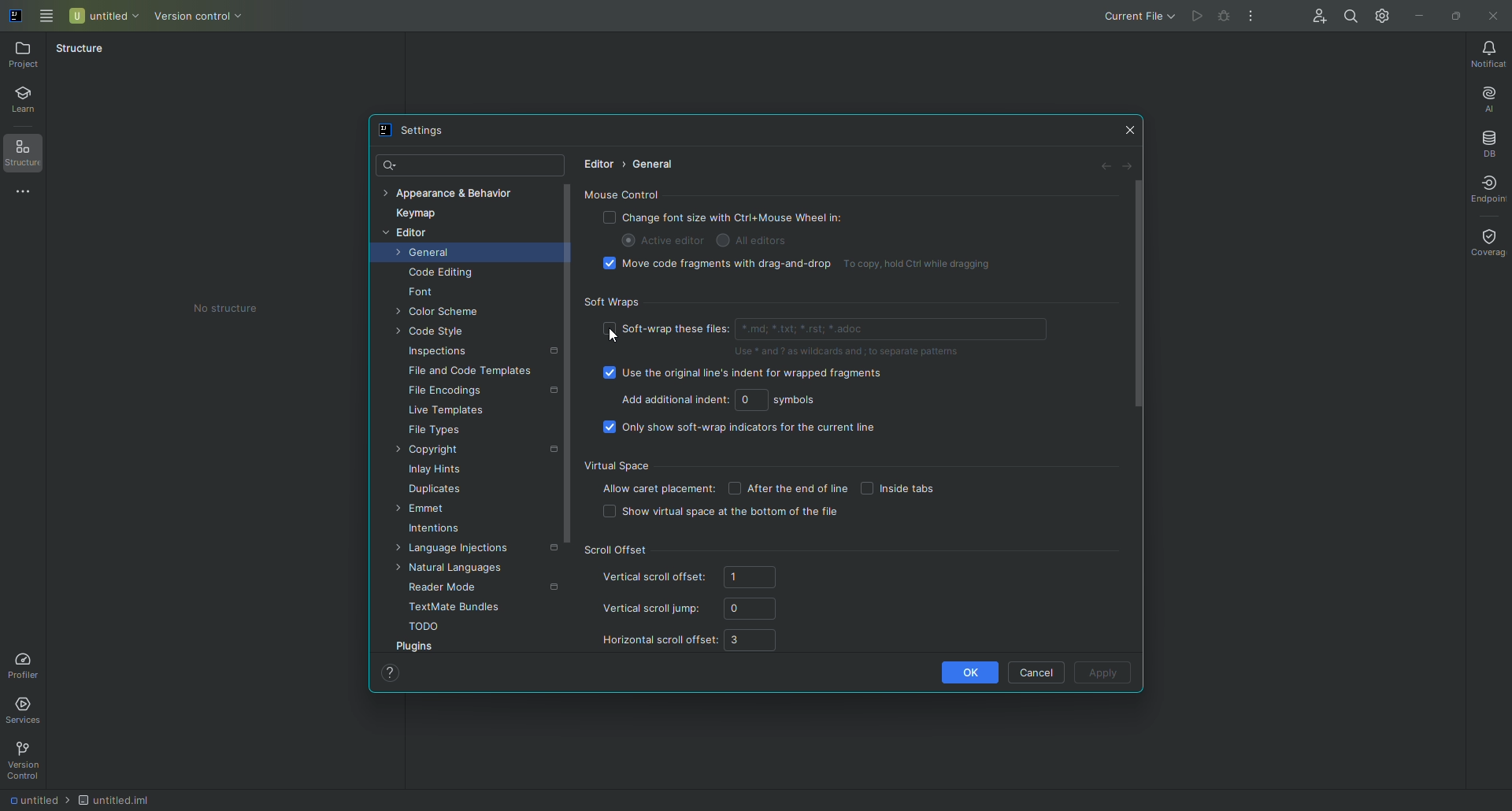  I want to click on Version control, so click(204, 17).